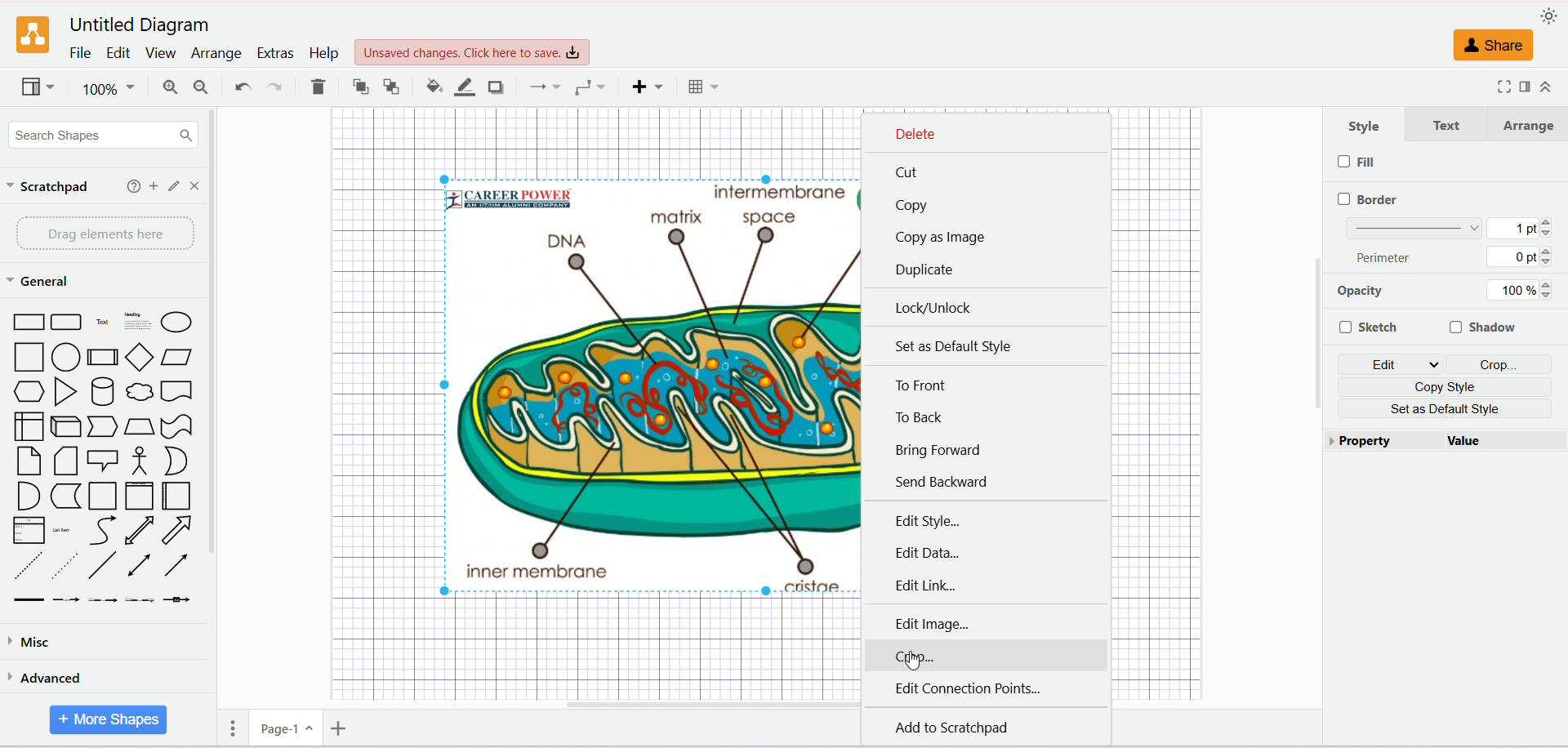 The height and width of the screenshot is (748, 1568). What do you see at coordinates (915, 659) in the screenshot?
I see `Cursor Position` at bounding box center [915, 659].